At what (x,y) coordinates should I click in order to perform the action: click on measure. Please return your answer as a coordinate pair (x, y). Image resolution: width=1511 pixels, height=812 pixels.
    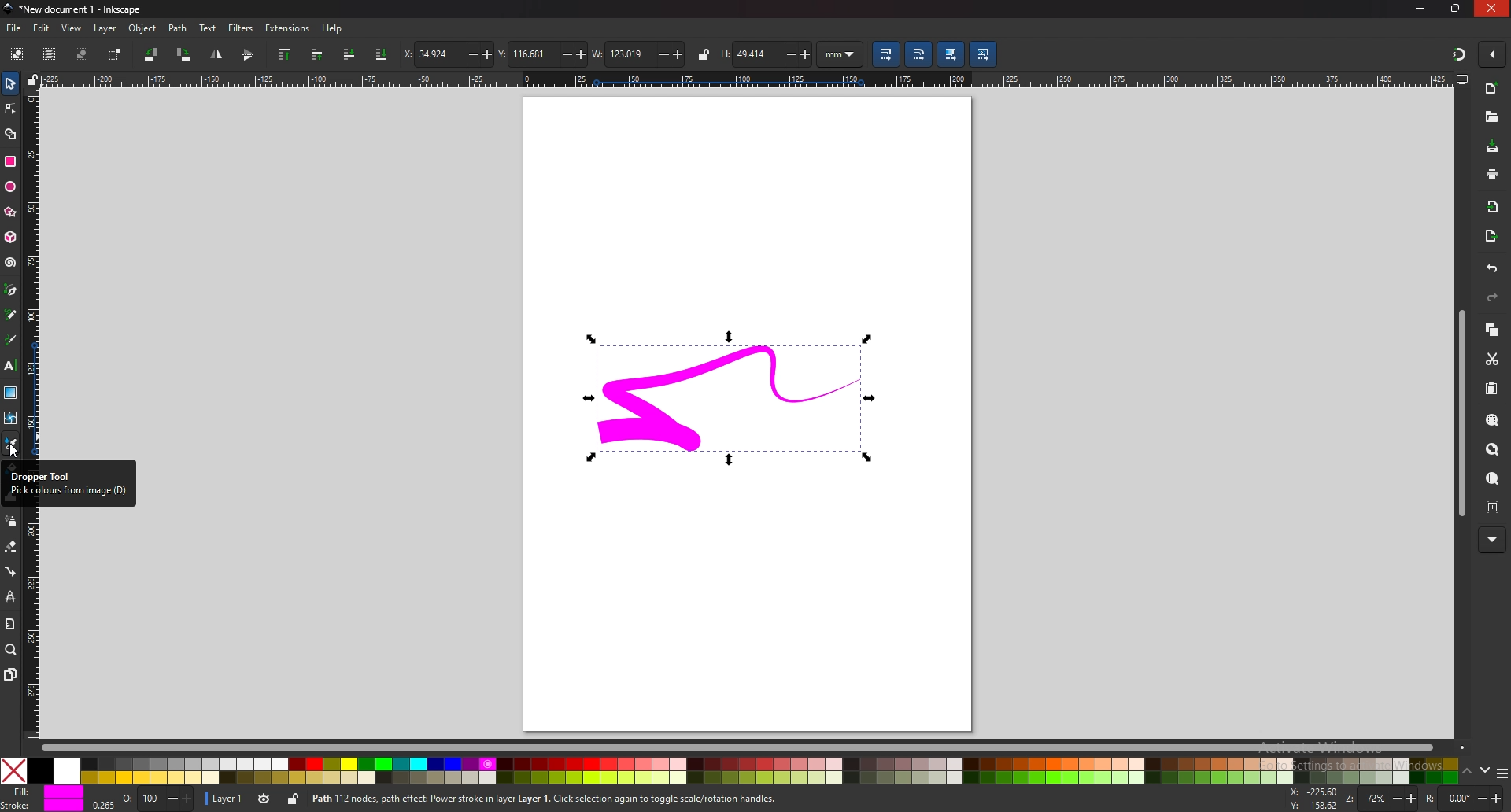
    Looking at the image, I should click on (10, 623).